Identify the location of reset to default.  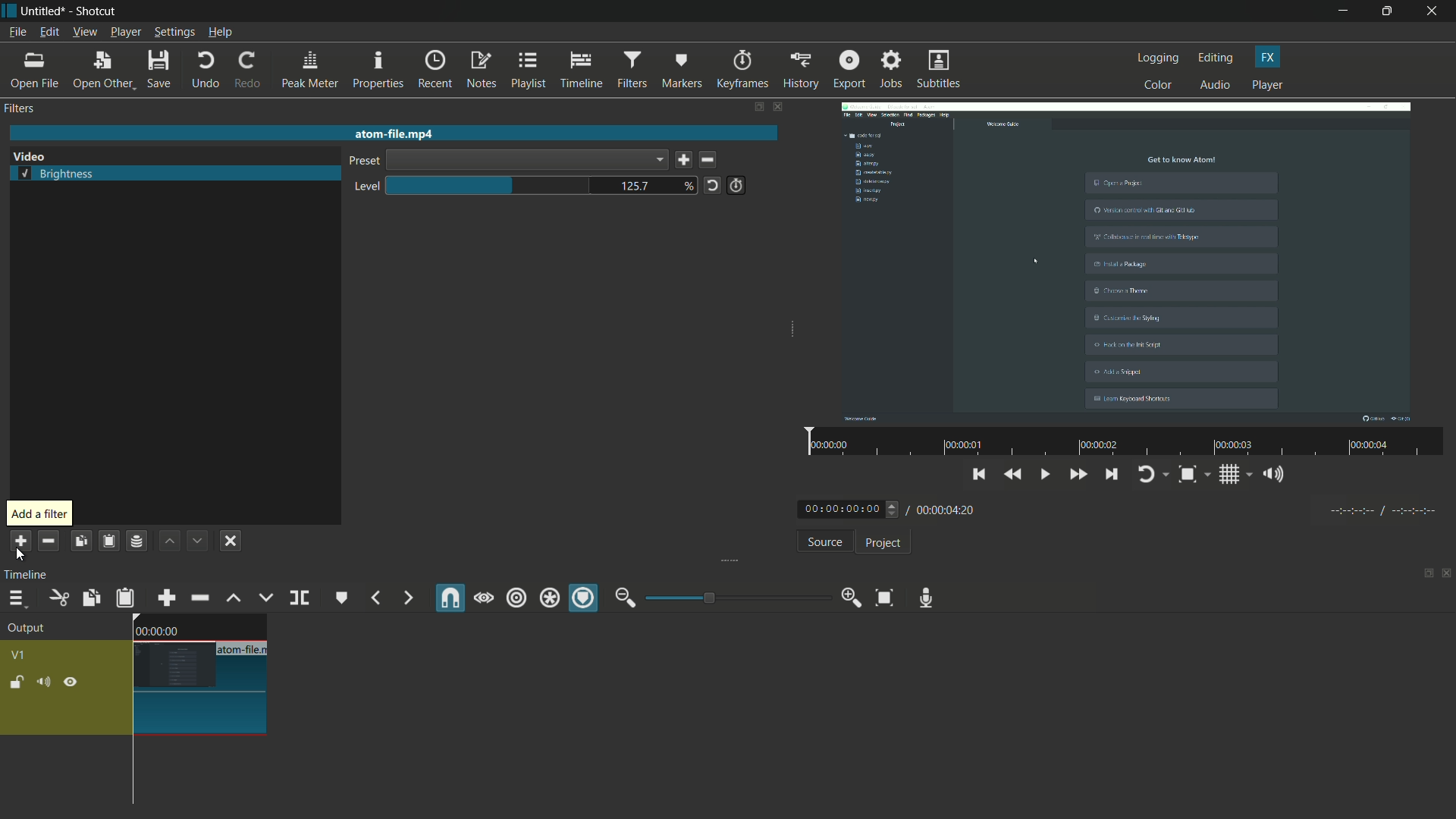
(712, 184).